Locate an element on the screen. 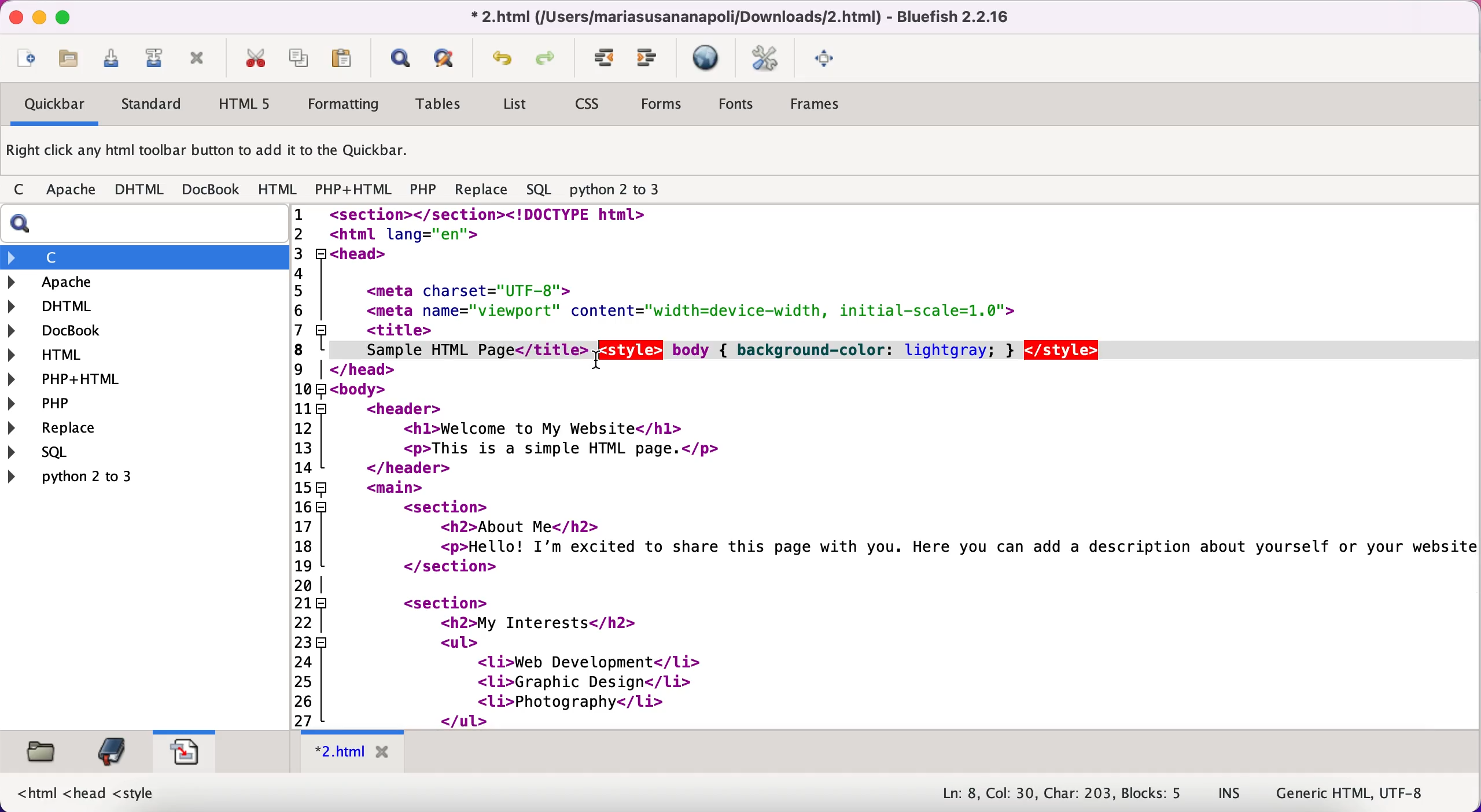 The height and width of the screenshot is (812, 1481). dhtml is located at coordinates (140, 190).